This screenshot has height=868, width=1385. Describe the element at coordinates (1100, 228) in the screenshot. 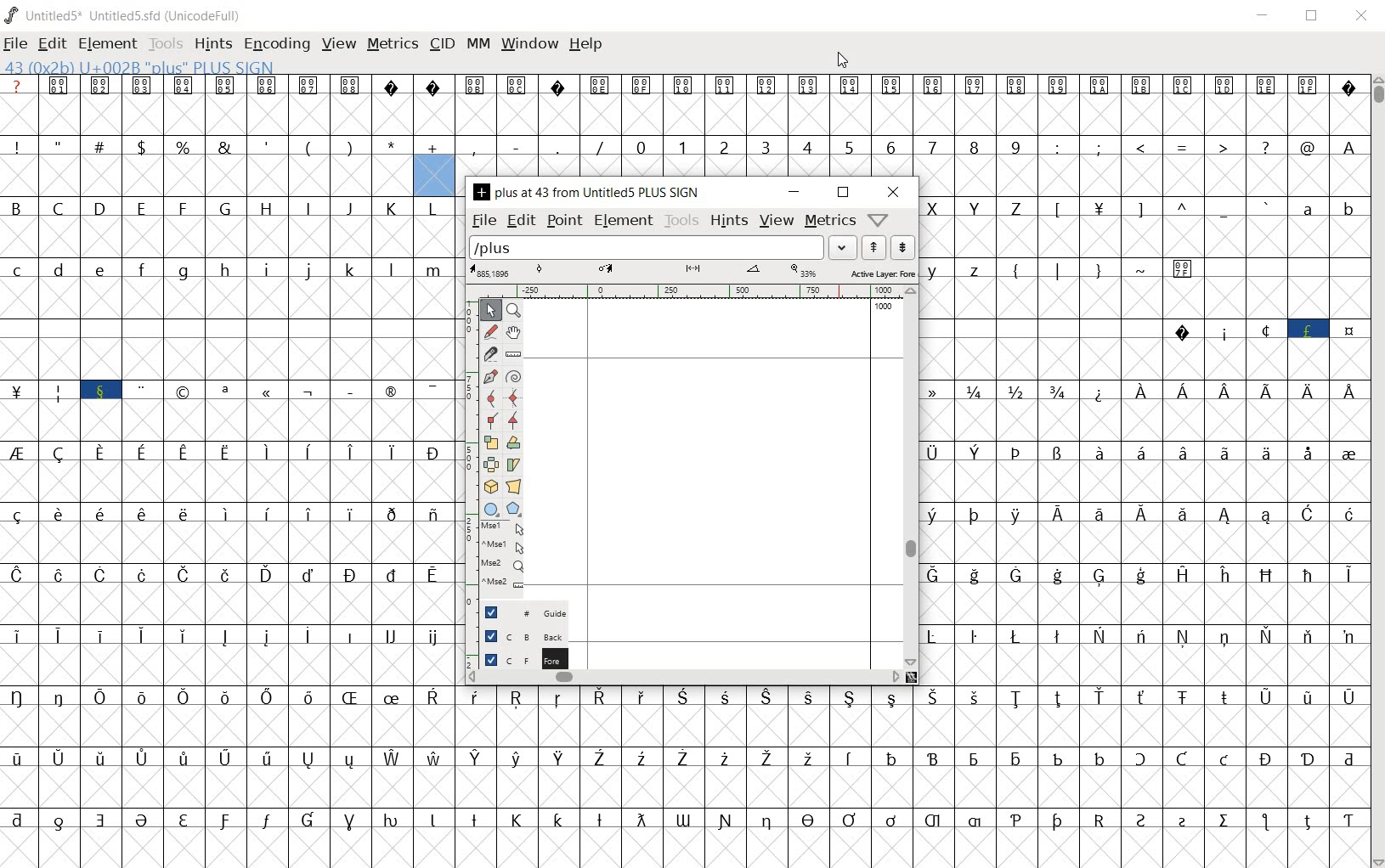

I see `T` at that location.